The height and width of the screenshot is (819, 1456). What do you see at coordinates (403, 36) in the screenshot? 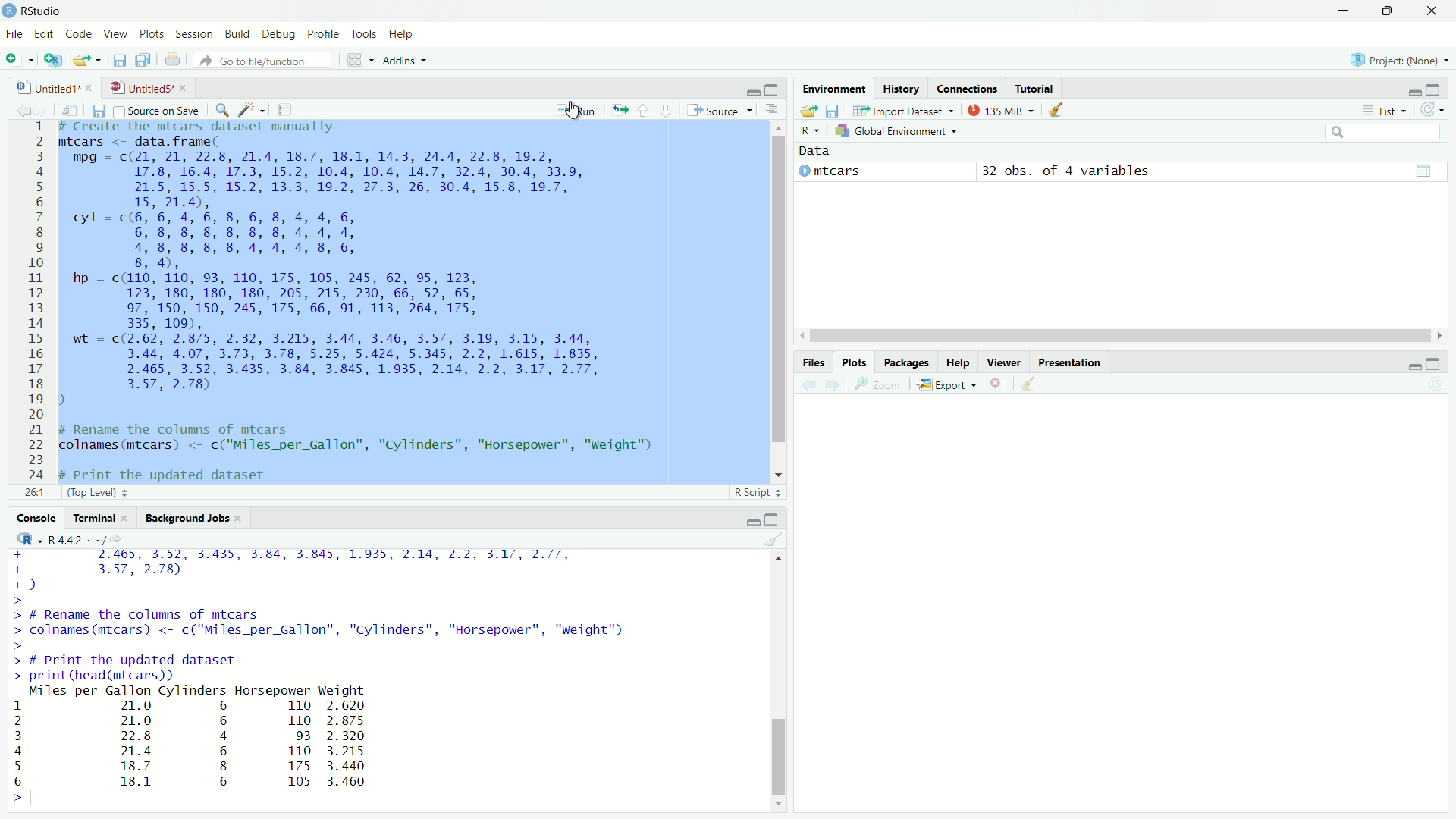
I see `Help` at bounding box center [403, 36].